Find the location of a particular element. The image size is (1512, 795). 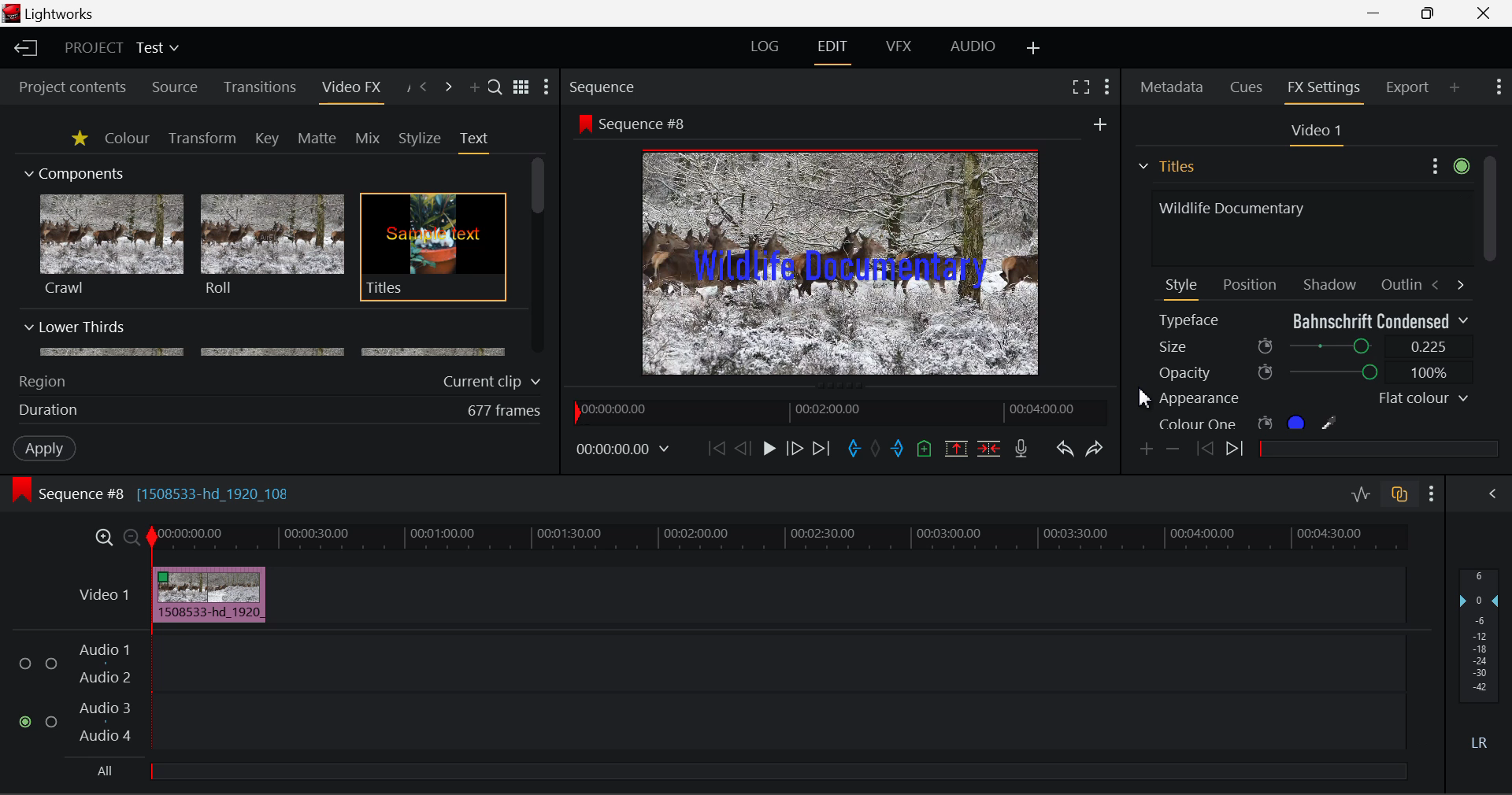

Text Tab Open is located at coordinates (478, 142).